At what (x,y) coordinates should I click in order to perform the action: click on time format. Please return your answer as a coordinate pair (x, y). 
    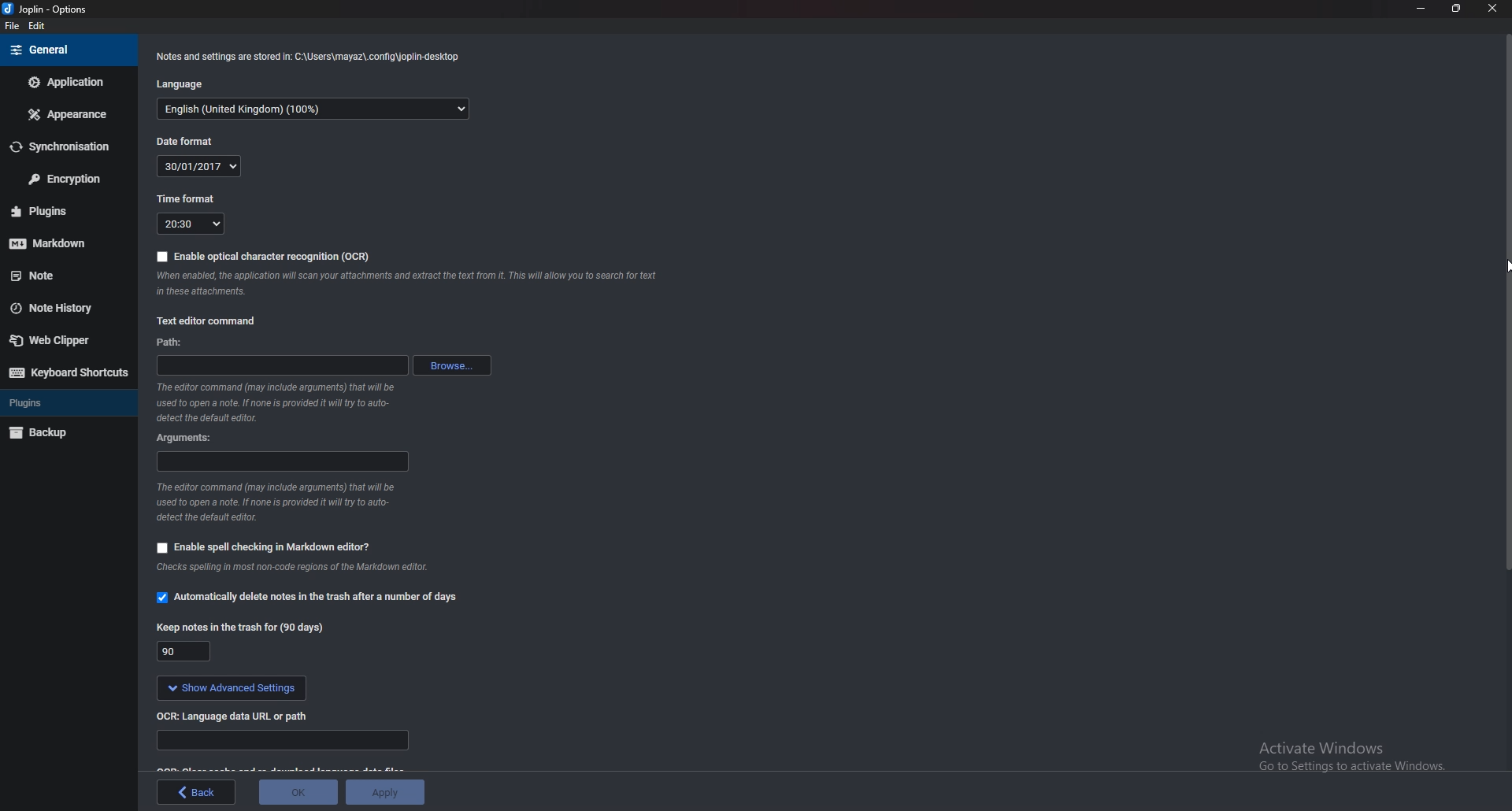
    Looking at the image, I should click on (188, 200).